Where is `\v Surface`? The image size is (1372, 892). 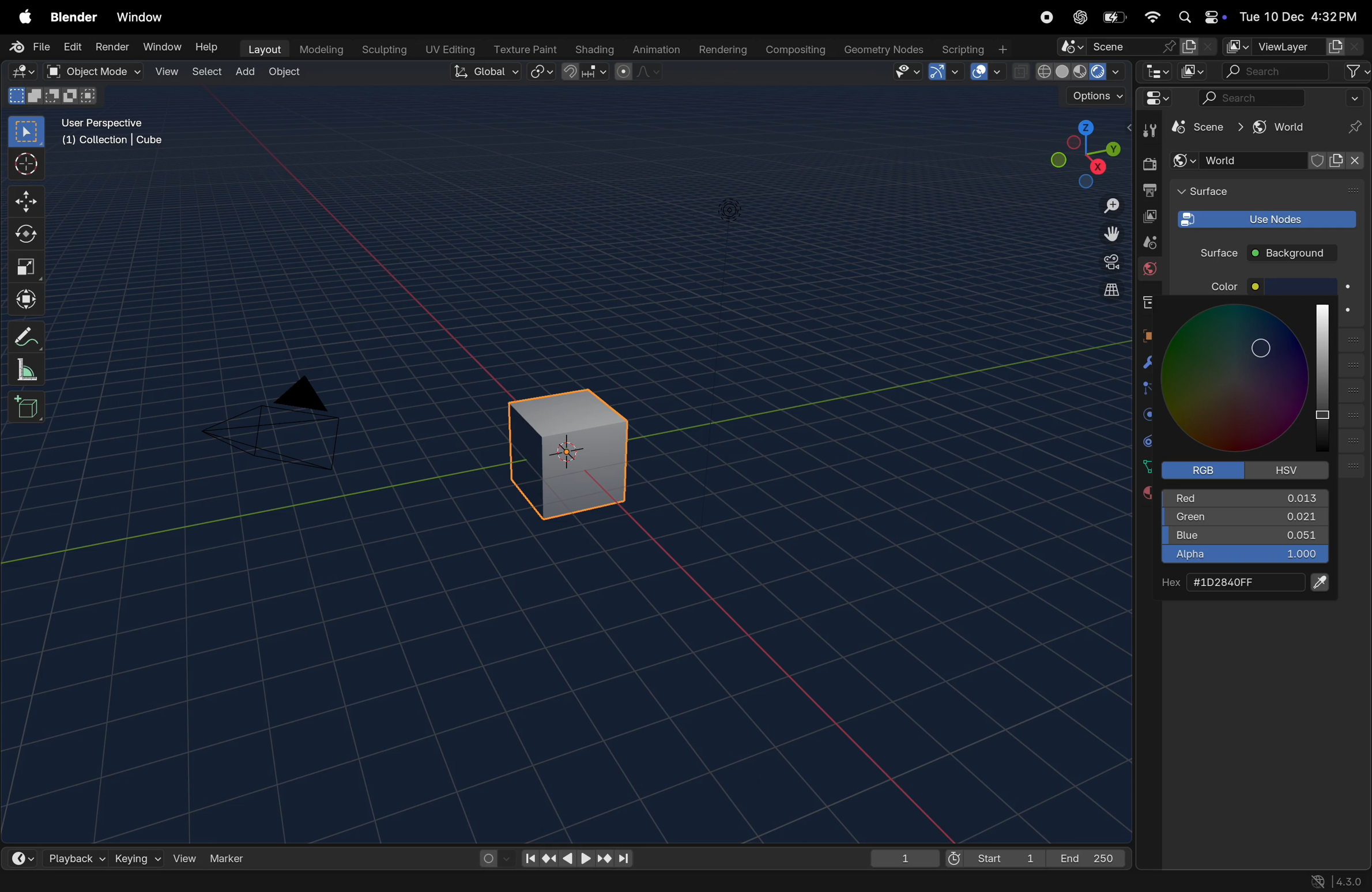 \v Surface is located at coordinates (1255, 193).